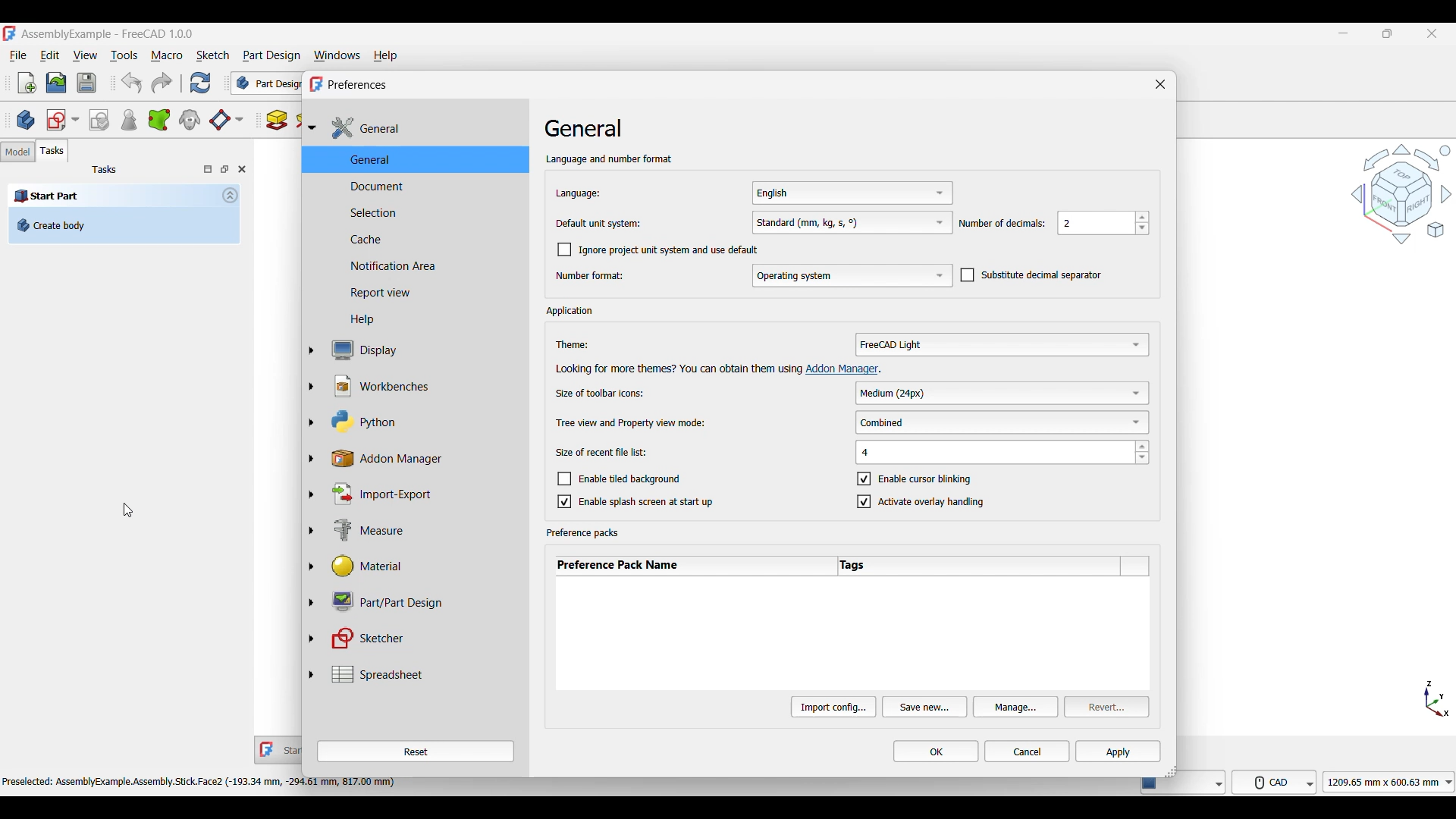  What do you see at coordinates (107, 35) in the screenshot?
I see `AssemblyExample - FreeCAD 1.0.0` at bounding box center [107, 35].